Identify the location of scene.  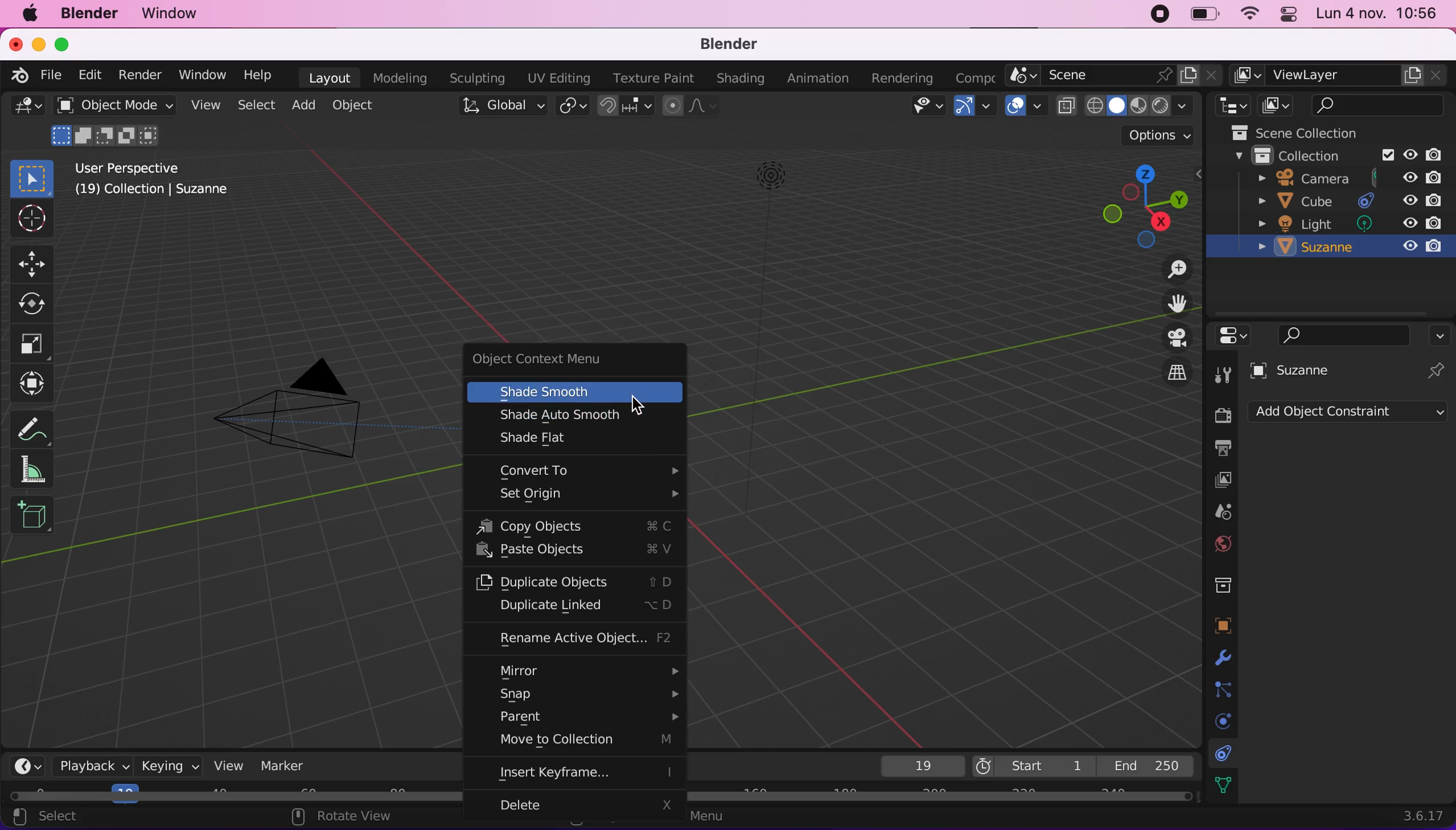
(1220, 510).